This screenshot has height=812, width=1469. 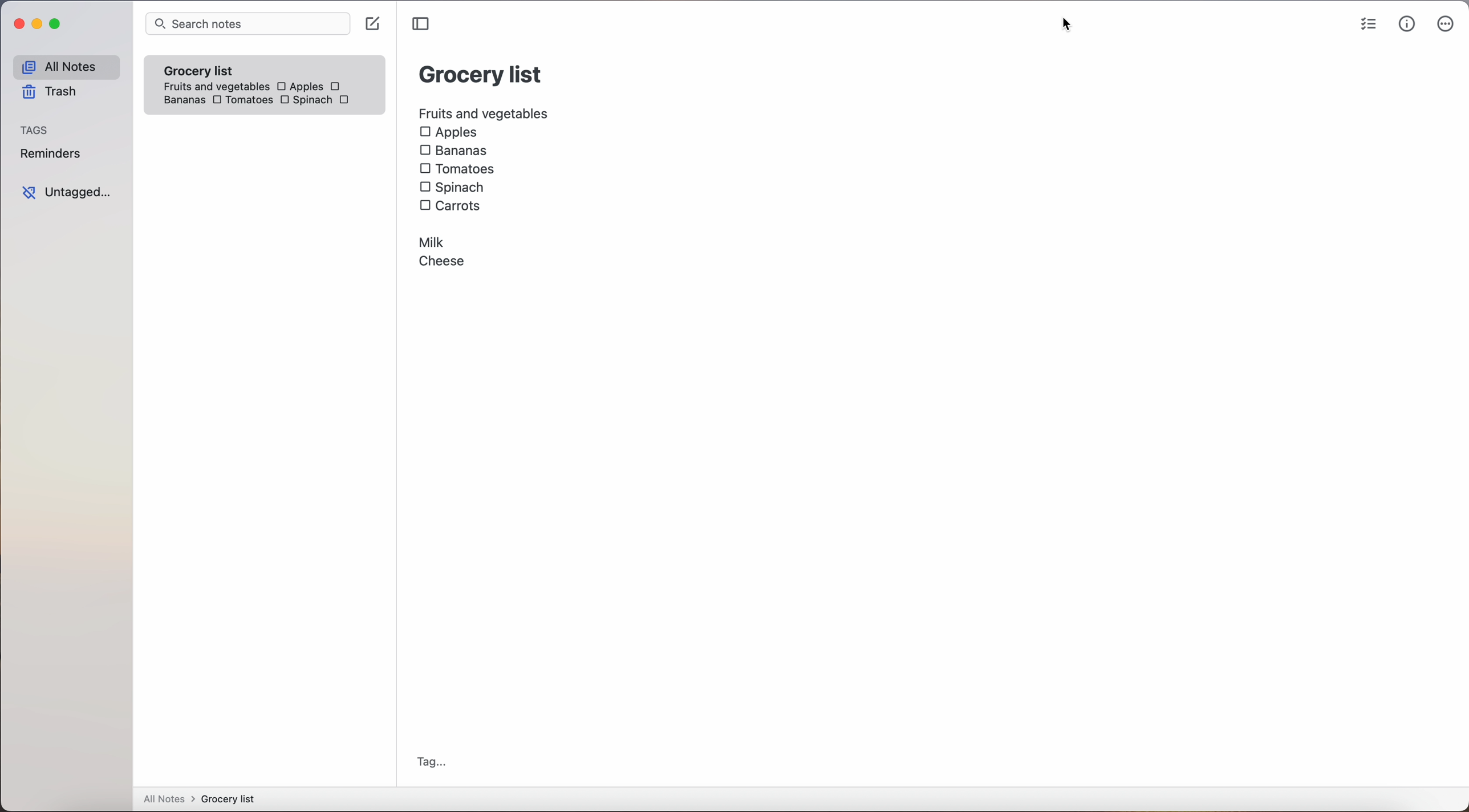 What do you see at coordinates (66, 192) in the screenshot?
I see `untagged` at bounding box center [66, 192].